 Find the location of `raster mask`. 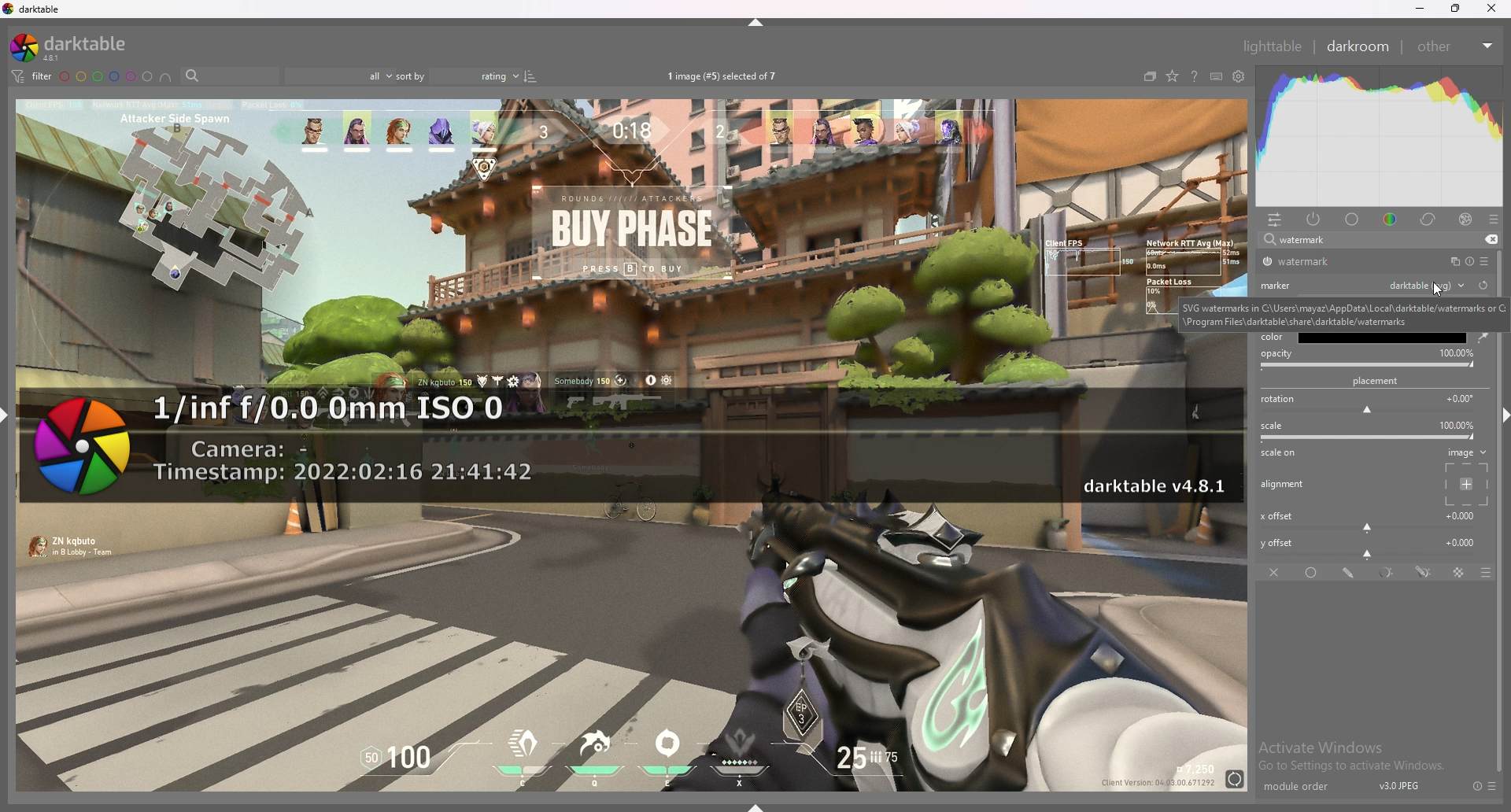

raster mask is located at coordinates (1460, 573).